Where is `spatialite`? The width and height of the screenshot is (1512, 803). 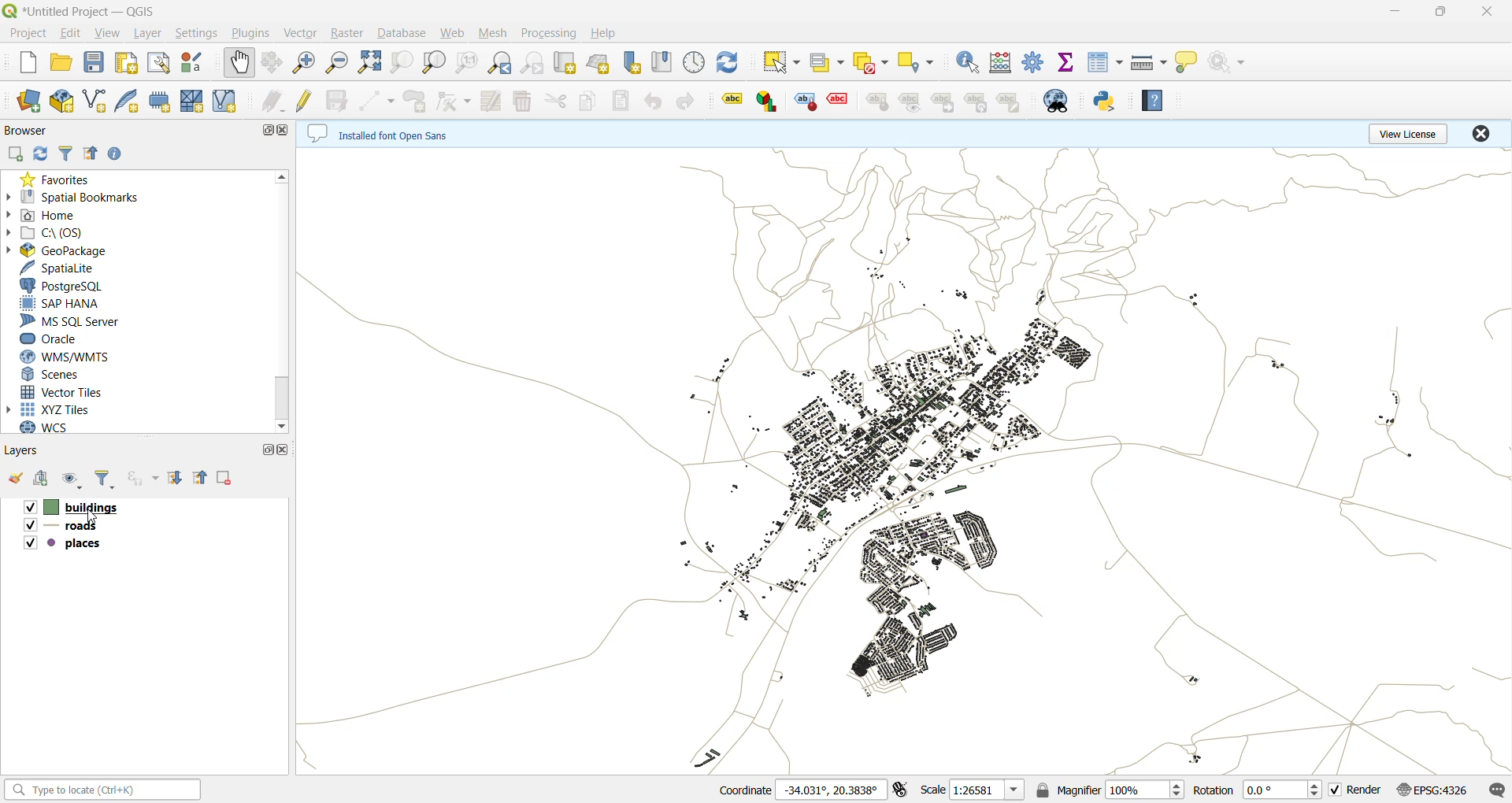 spatialite is located at coordinates (62, 267).